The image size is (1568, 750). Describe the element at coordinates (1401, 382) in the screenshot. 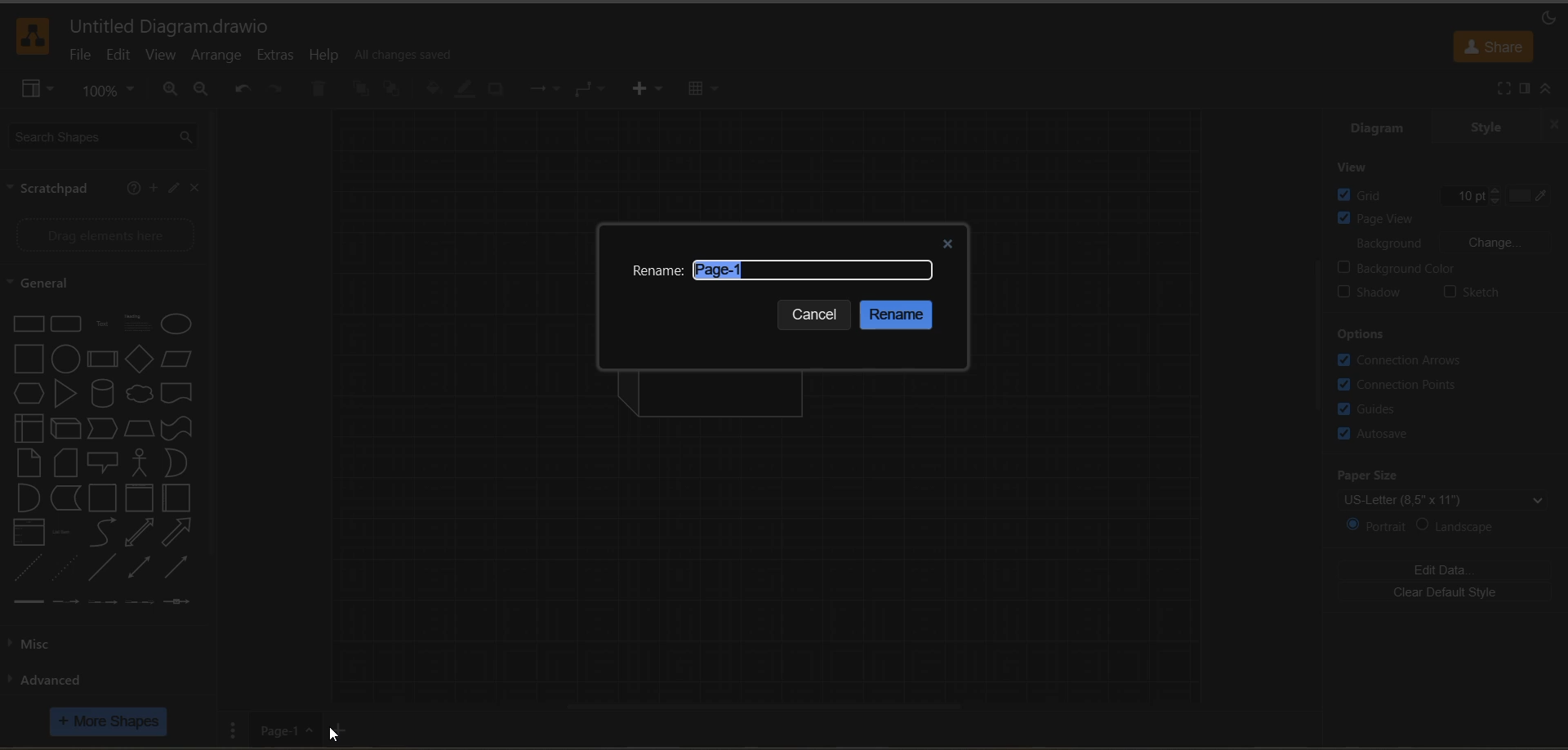

I see `connection points` at that location.